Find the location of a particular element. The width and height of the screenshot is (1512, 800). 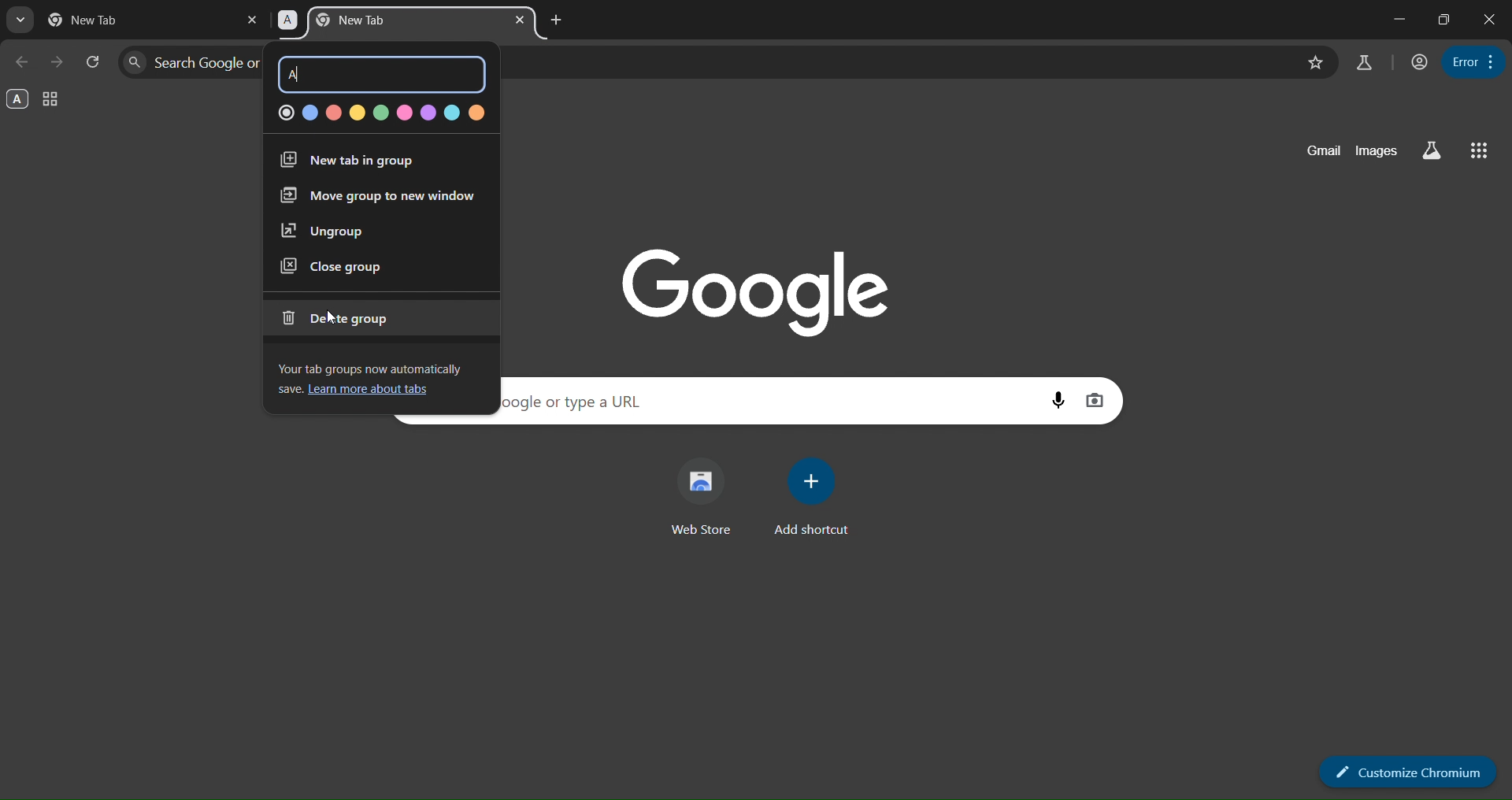

close tab is located at coordinates (522, 20).